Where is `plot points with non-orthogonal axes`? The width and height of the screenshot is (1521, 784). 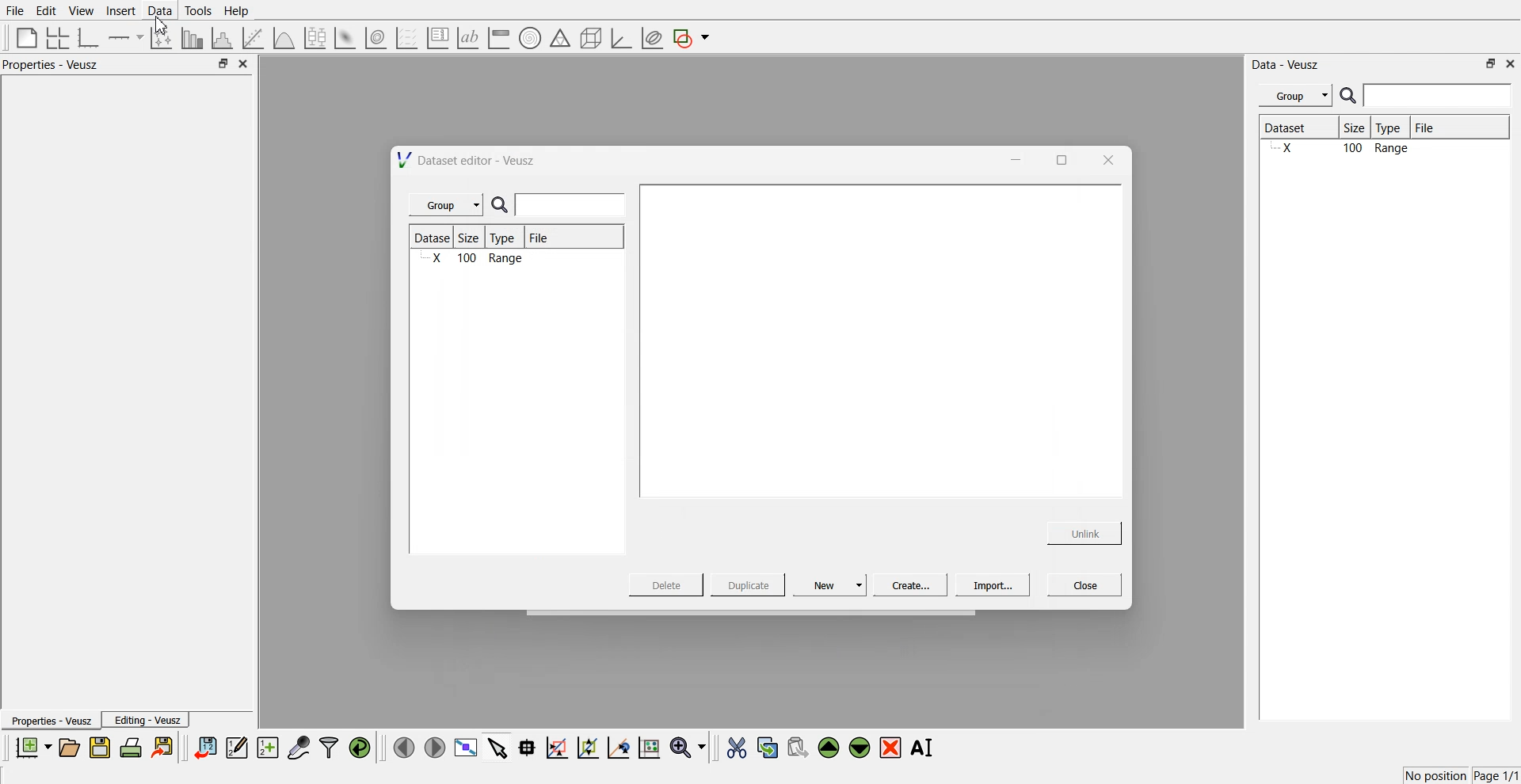
plot points with non-orthogonal axes is located at coordinates (160, 37).